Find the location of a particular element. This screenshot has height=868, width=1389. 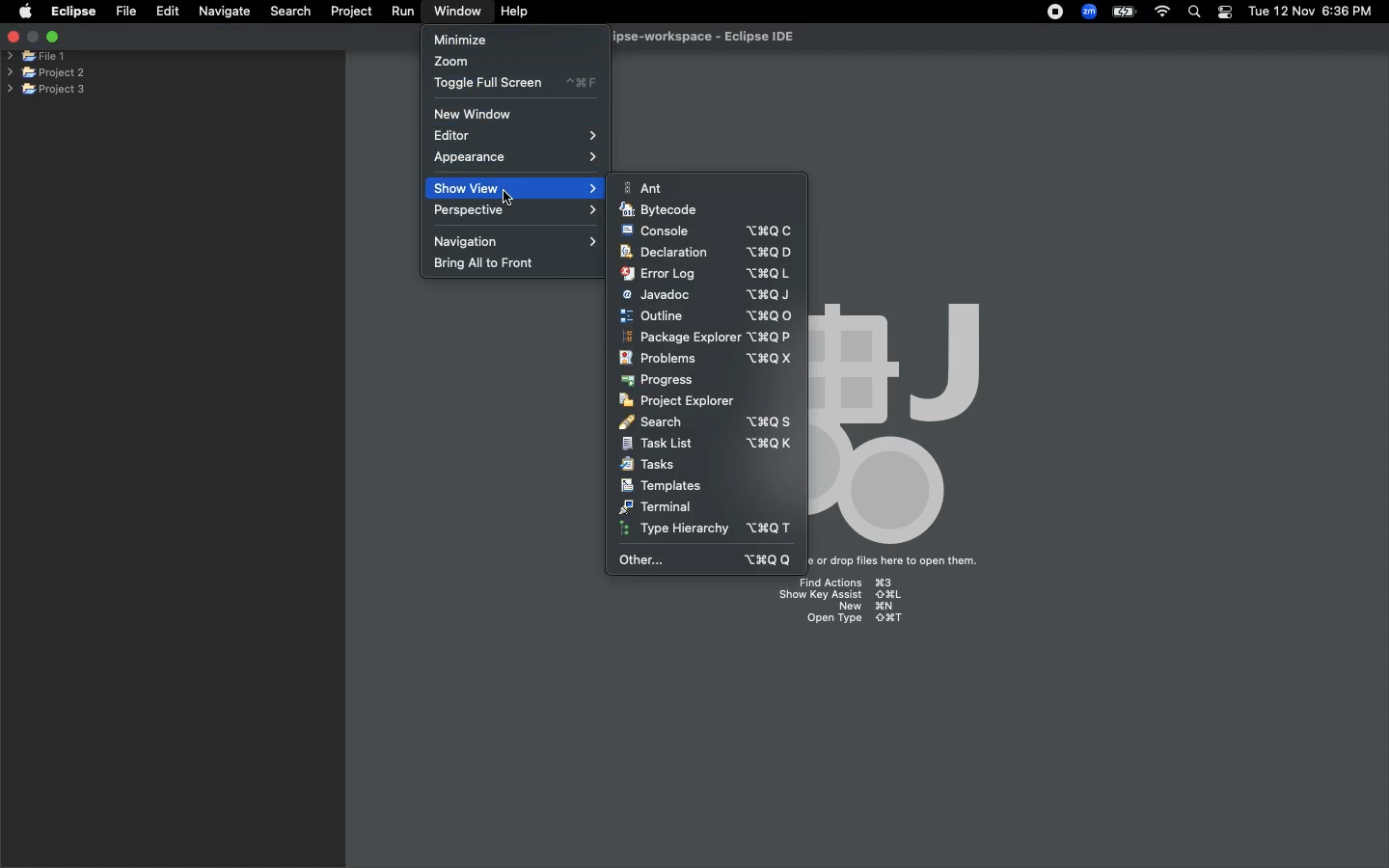

Eclipse IDE is located at coordinates (691, 38).